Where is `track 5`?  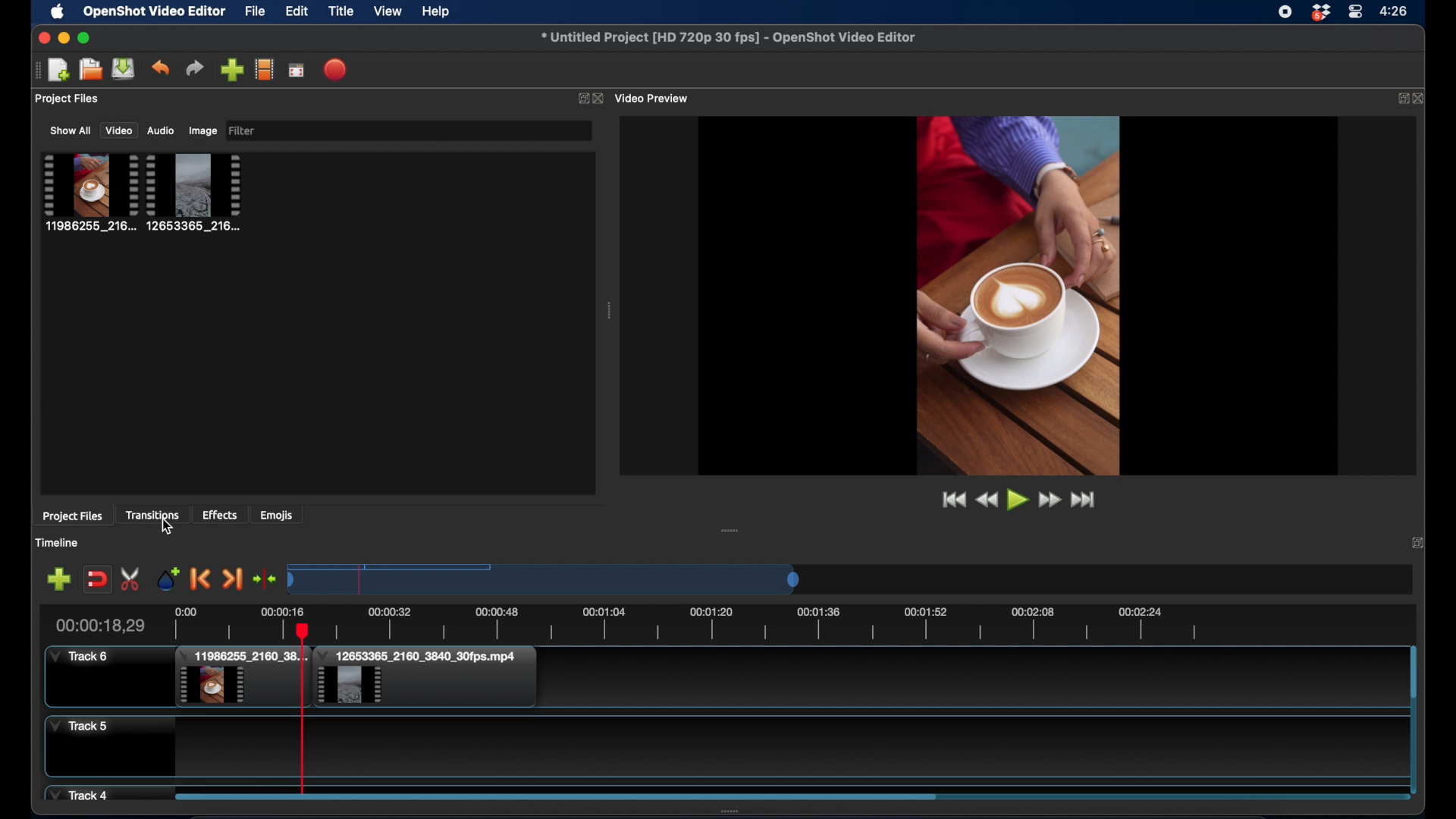
track 5 is located at coordinates (79, 726).